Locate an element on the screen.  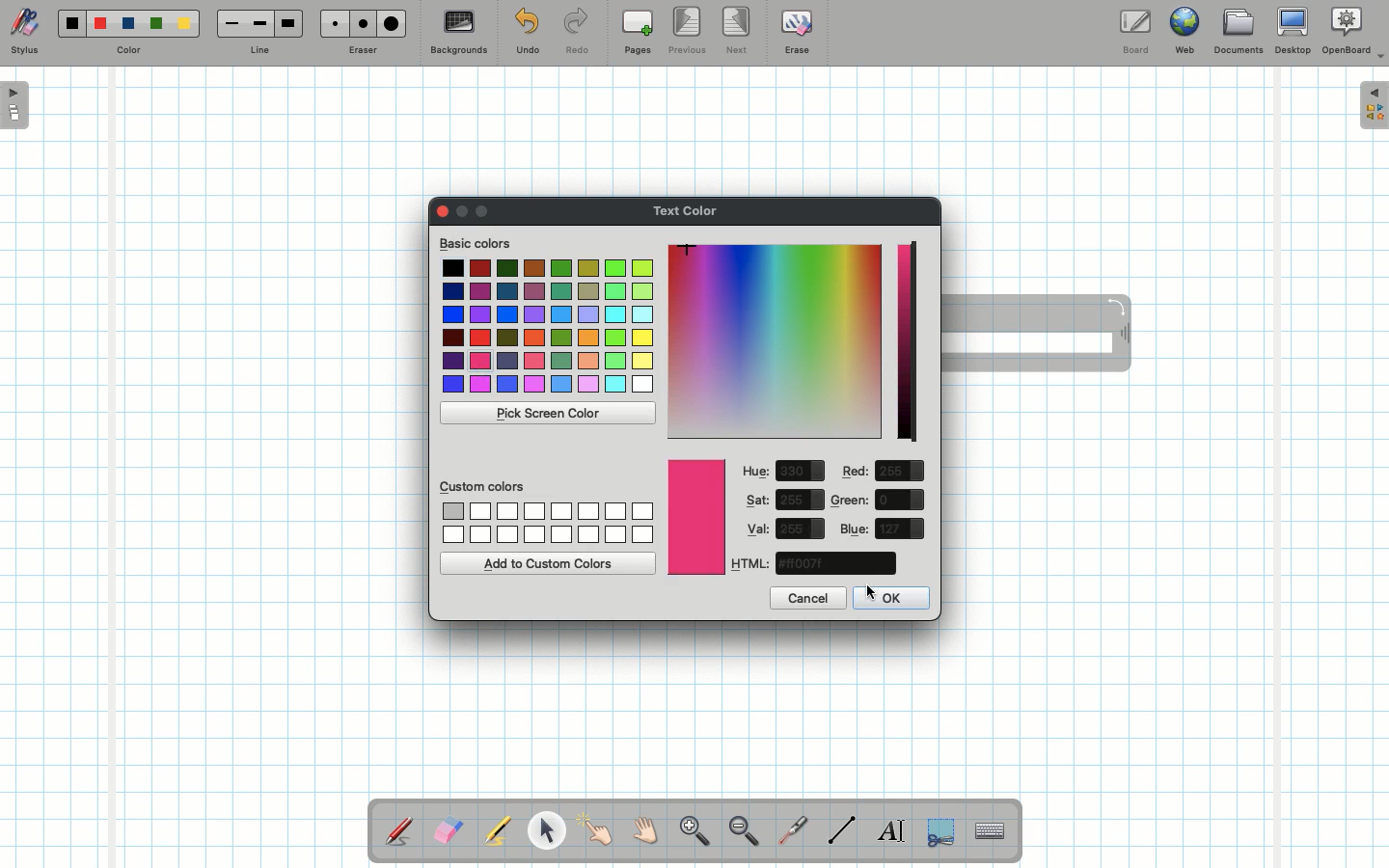
Medium eraser is located at coordinates (360, 23).